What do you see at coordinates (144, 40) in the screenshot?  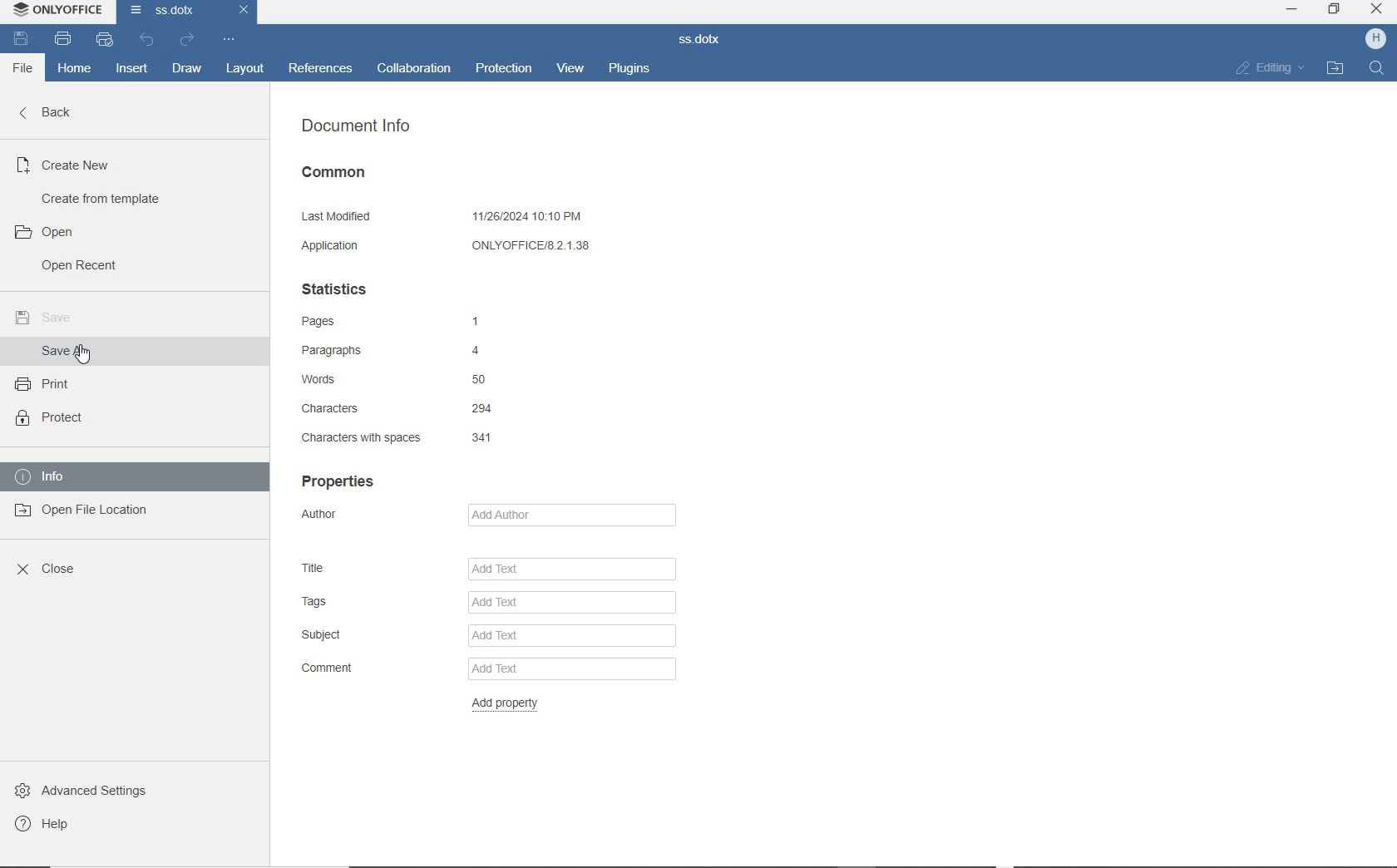 I see `UNDO` at bounding box center [144, 40].